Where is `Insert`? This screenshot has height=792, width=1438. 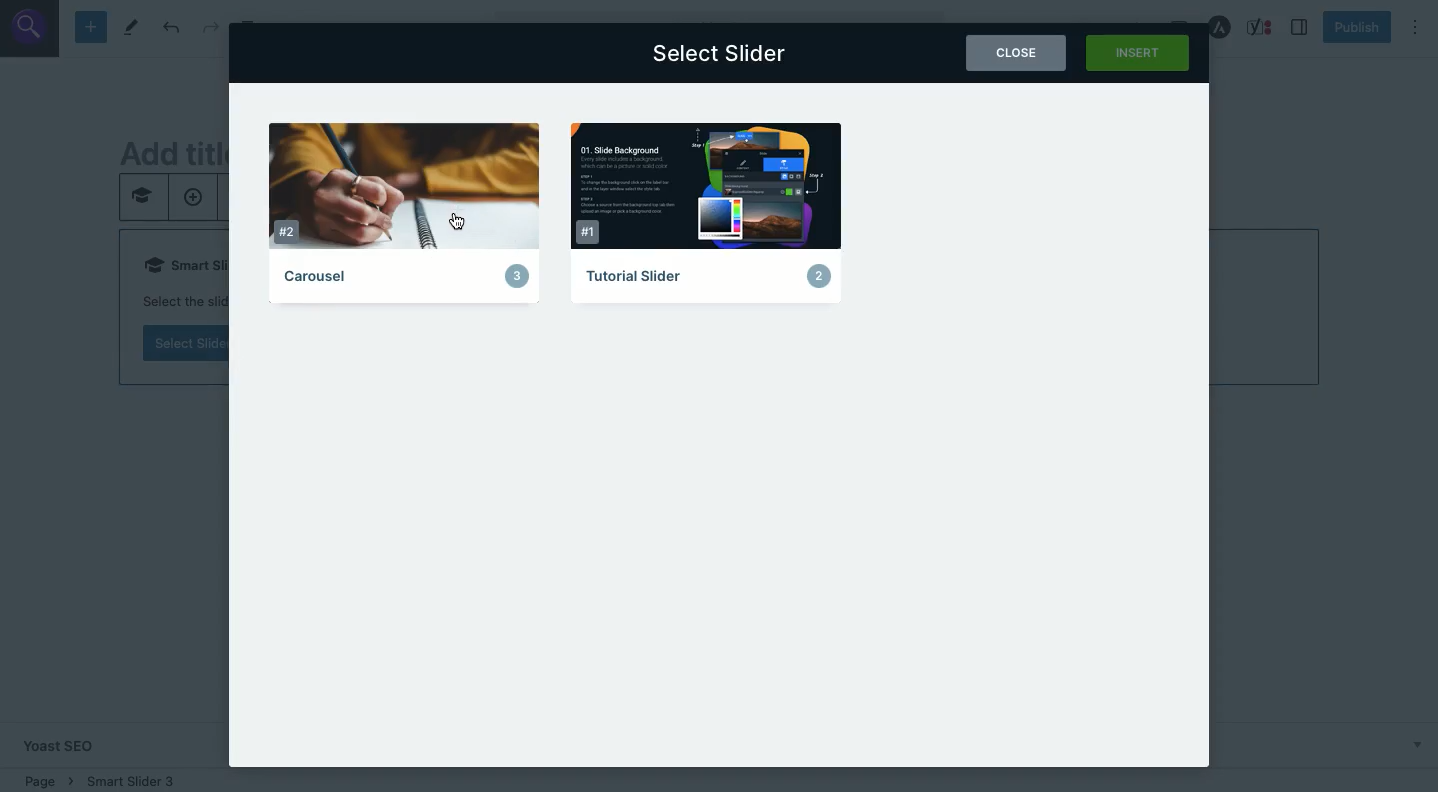 Insert is located at coordinates (1138, 54).